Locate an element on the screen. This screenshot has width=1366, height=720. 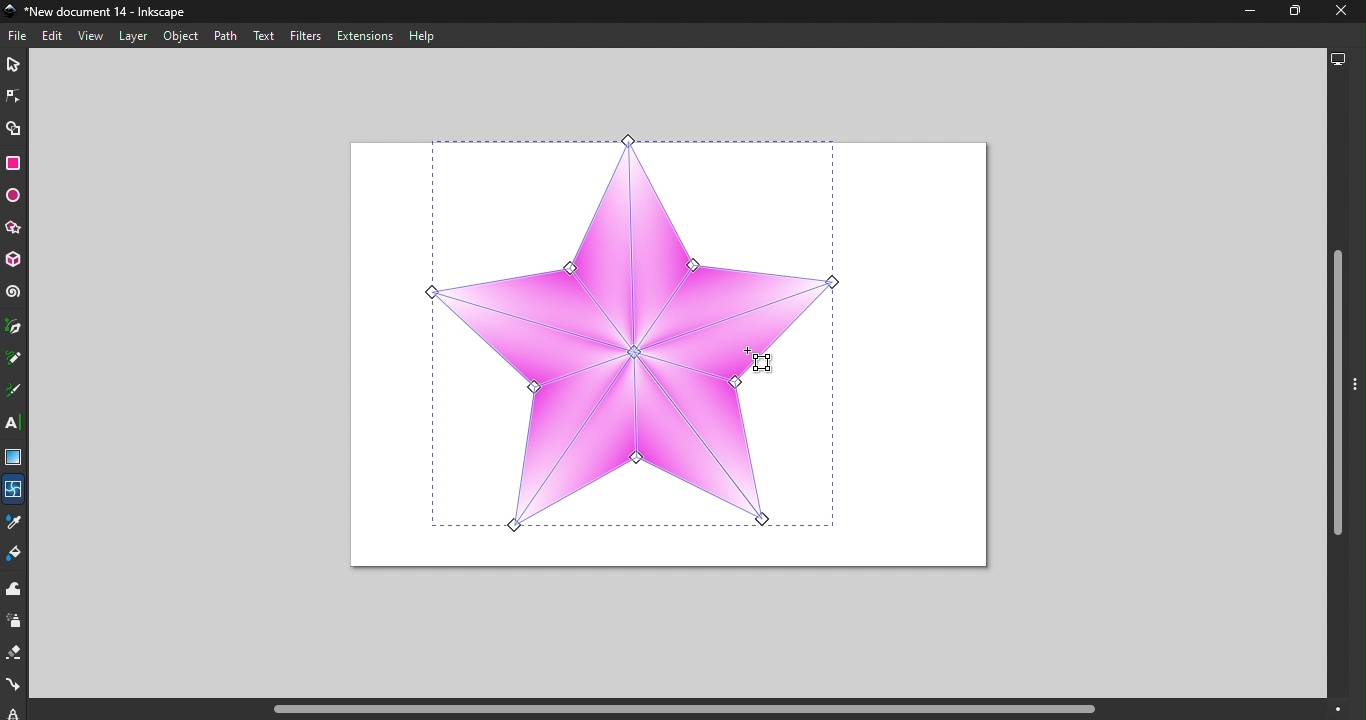
View is located at coordinates (93, 36).